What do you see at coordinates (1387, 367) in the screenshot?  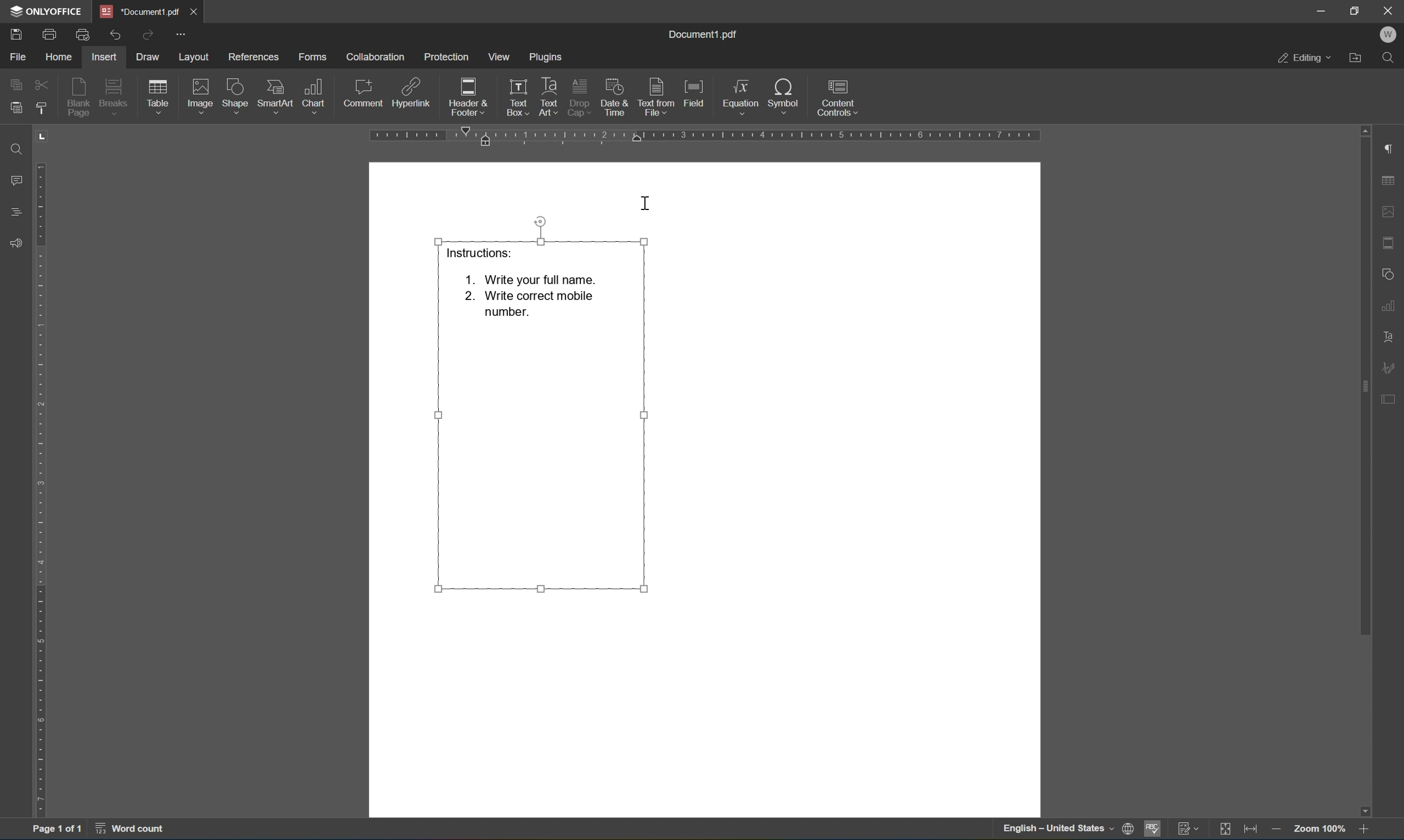 I see `signature settings` at bounding box center [1387, 367].